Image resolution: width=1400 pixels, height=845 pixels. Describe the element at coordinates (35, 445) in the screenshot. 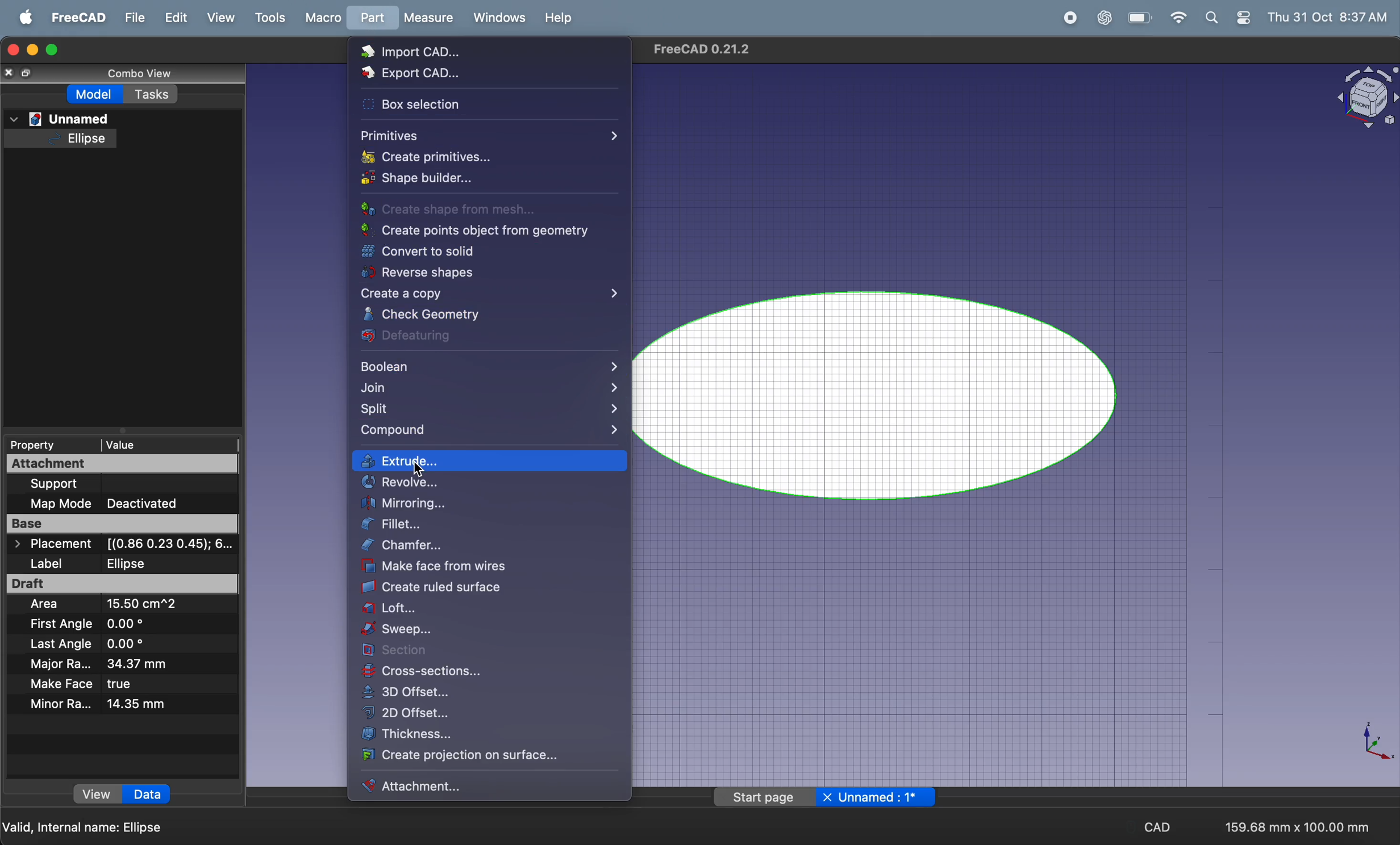

I see `property` at that location.